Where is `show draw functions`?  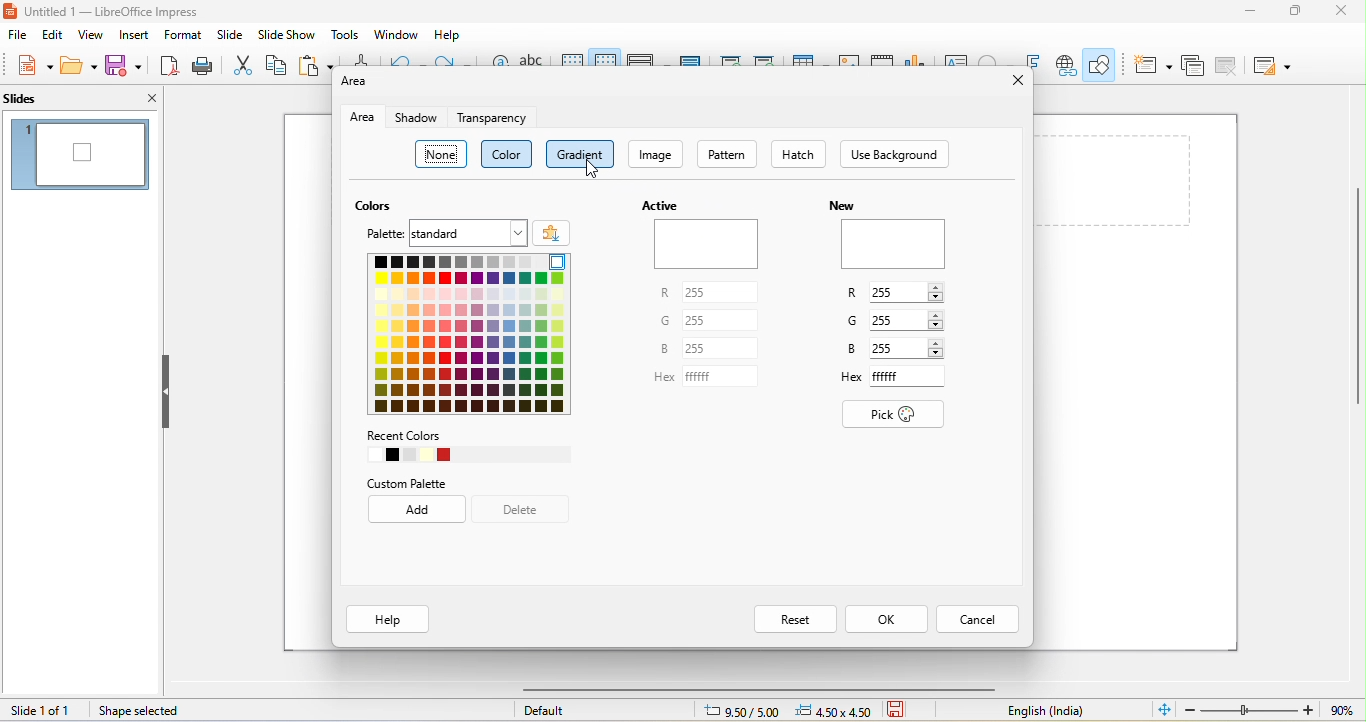 show draw functions is located at coordinates (1102, 64).